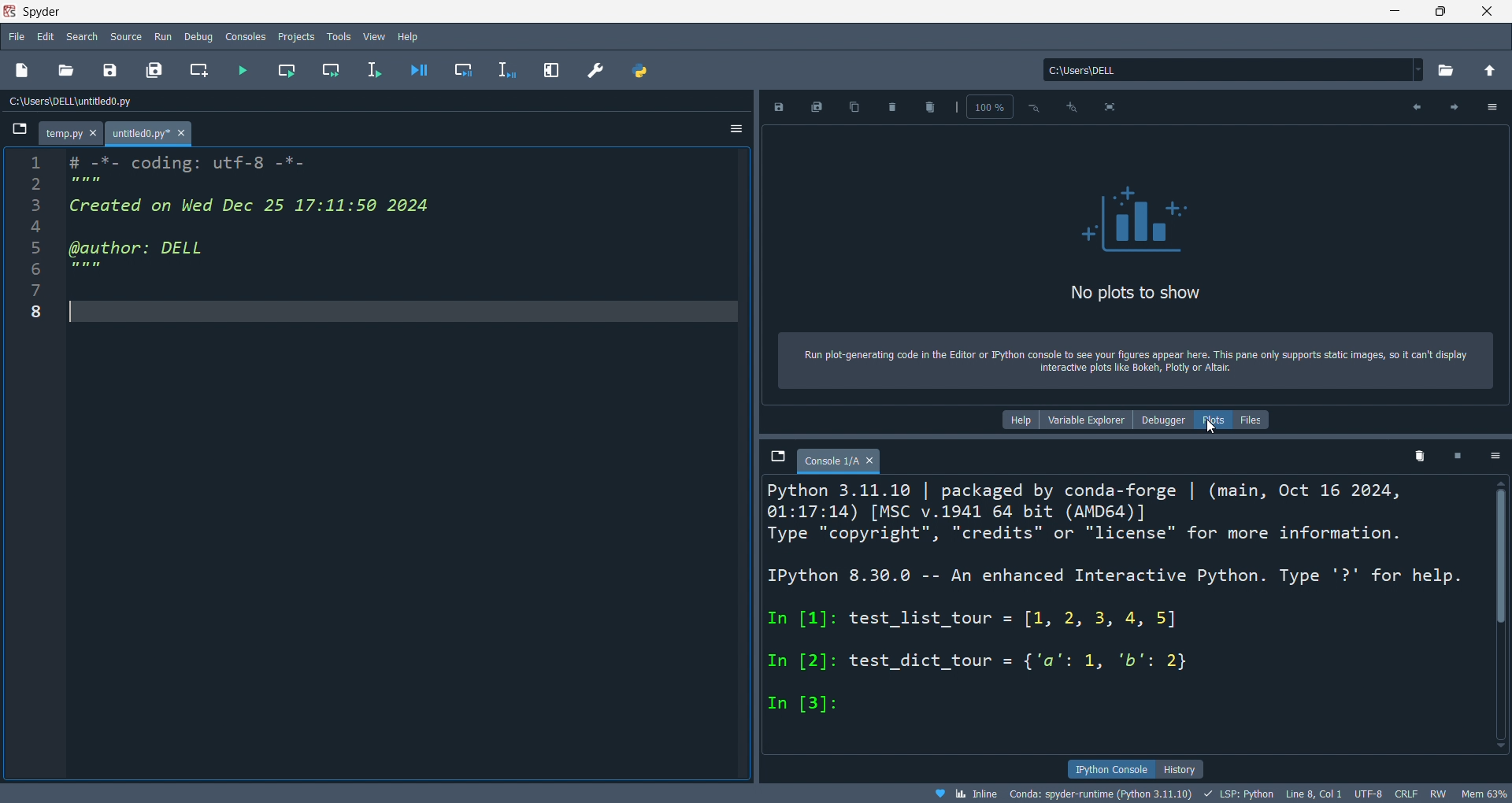 Image resolution: width=1512 pixels, height=803 pixels. I want to click on rw, so click(1437, 794).